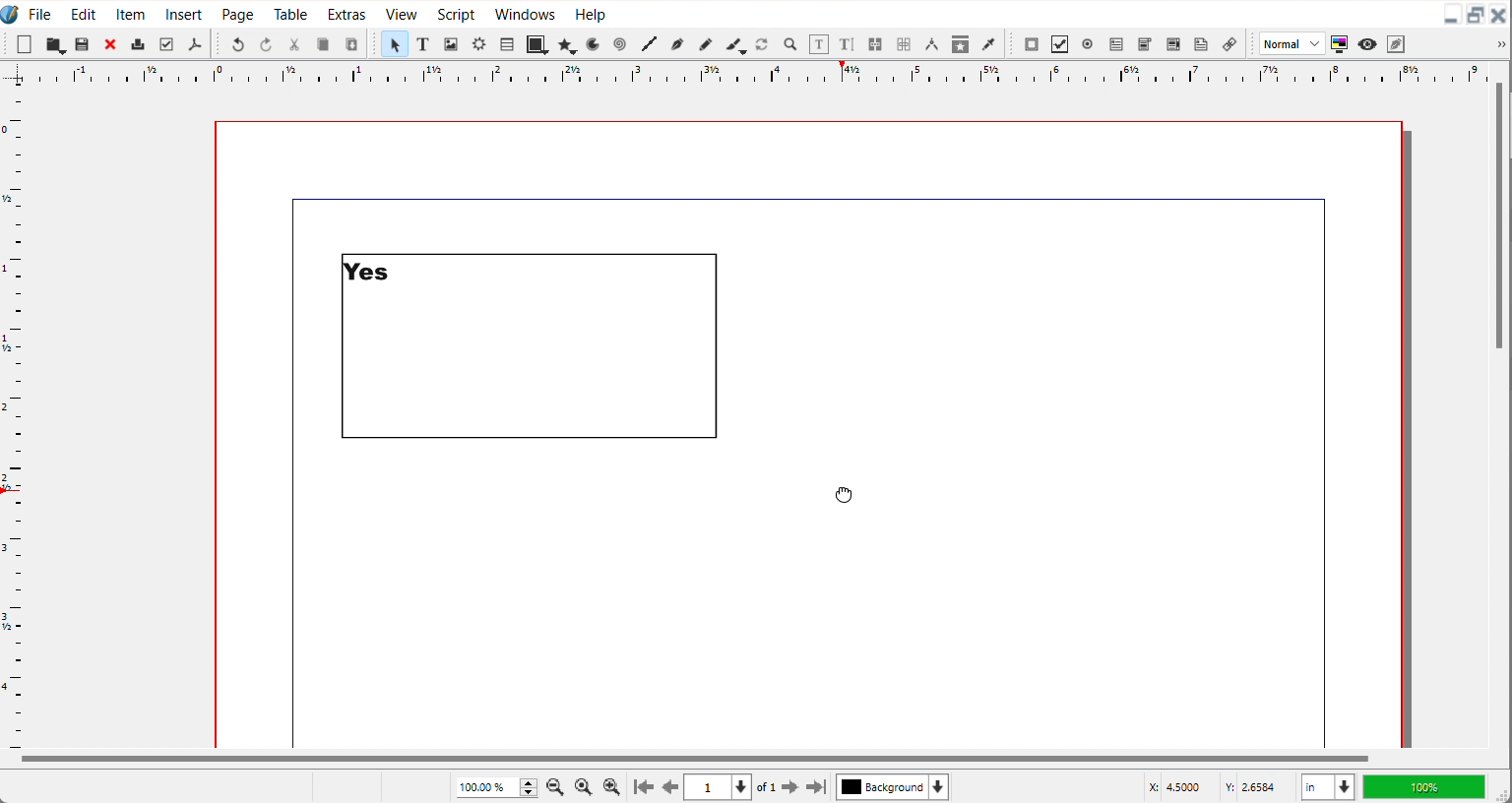 The height and width of the screenshot is (803, 1512). What do you see at coordinates (478, 43) in the screenshot?
I see `Render Frame` at bounding box center [478, 43].